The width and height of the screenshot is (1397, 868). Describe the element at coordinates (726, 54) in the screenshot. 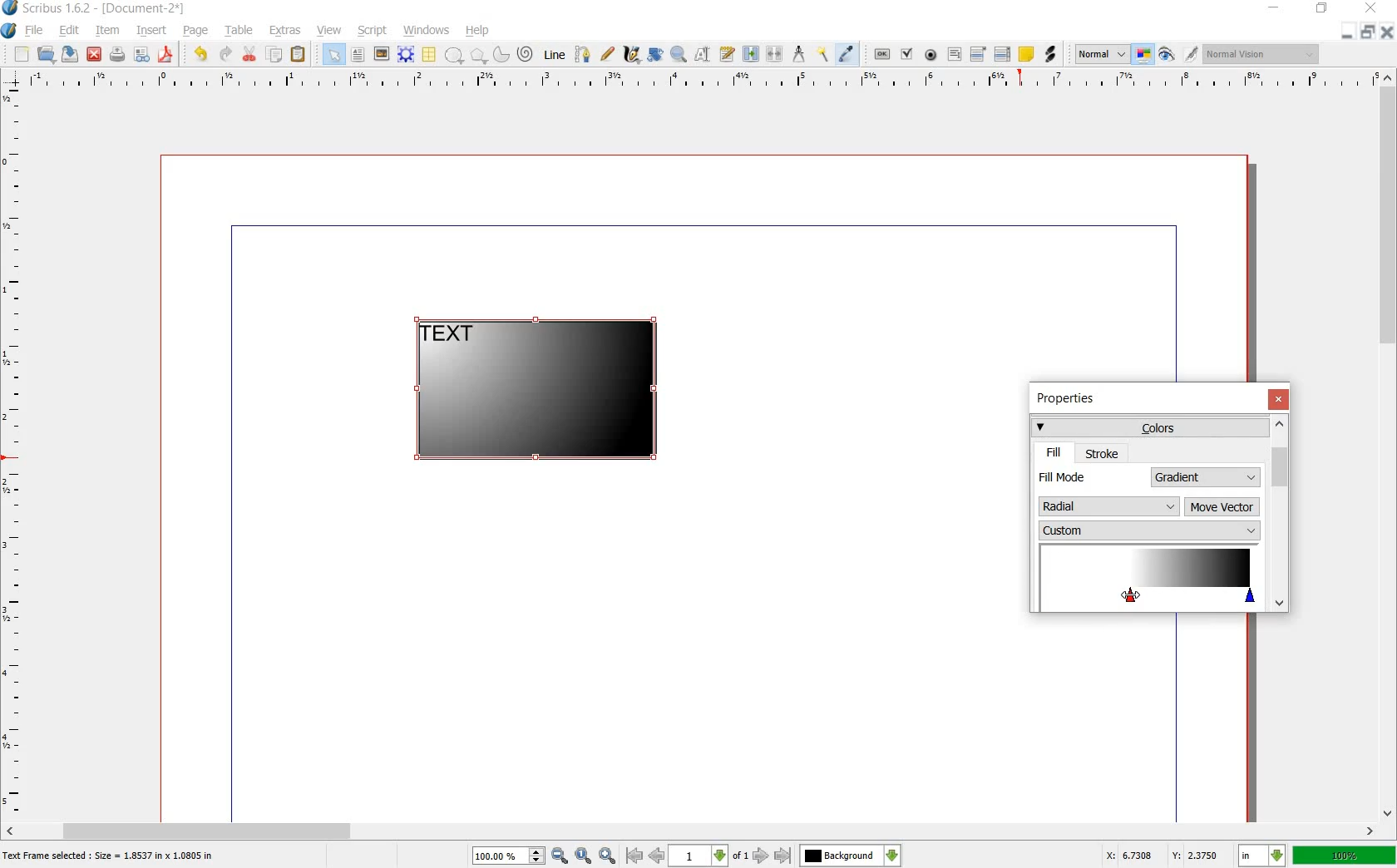

I see `edit text with story editor` at that location.